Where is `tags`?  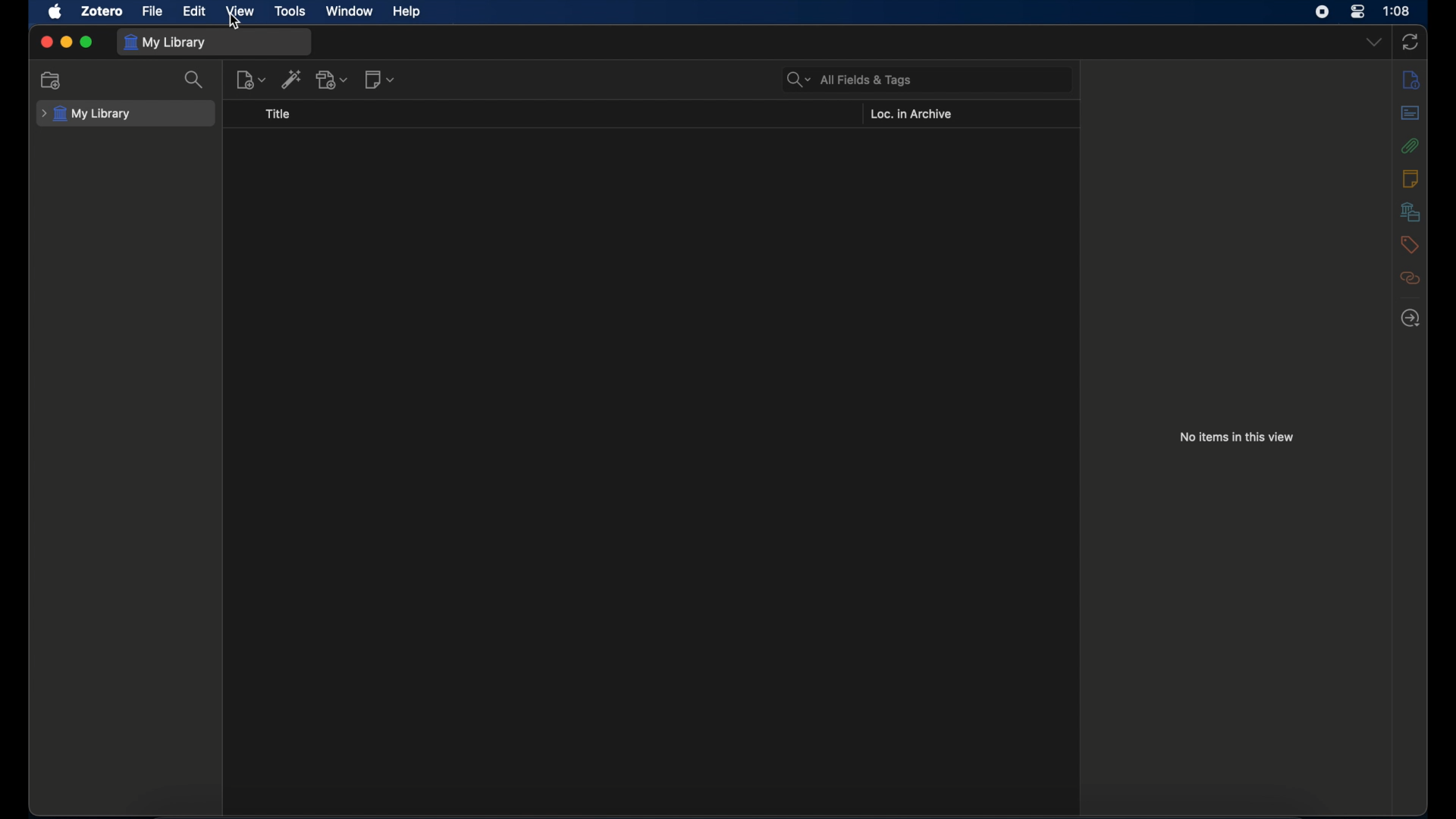
tags is located at coordinates (1409, 245).